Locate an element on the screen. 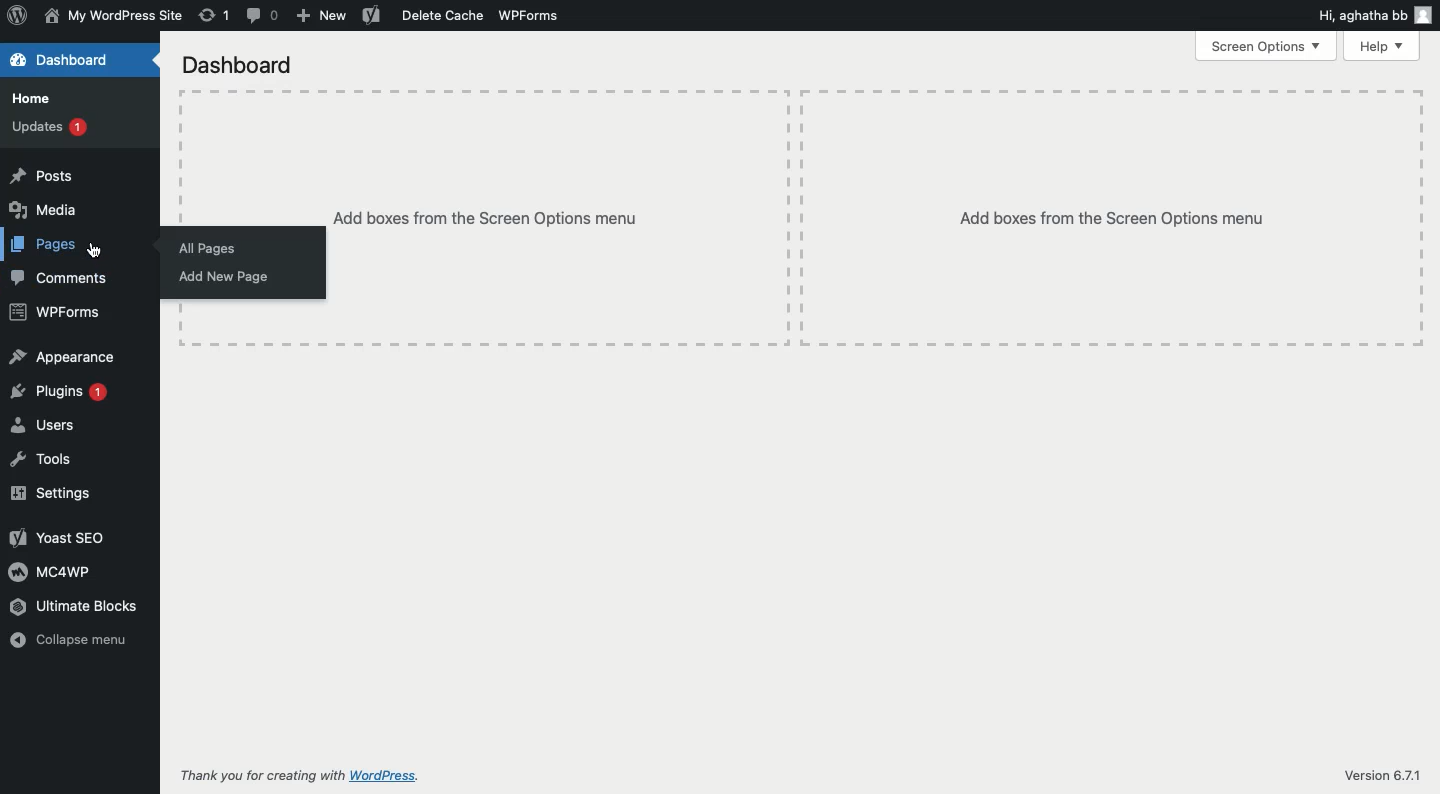  Thank you for creating with WordPress is located at coordinates (302, 777).